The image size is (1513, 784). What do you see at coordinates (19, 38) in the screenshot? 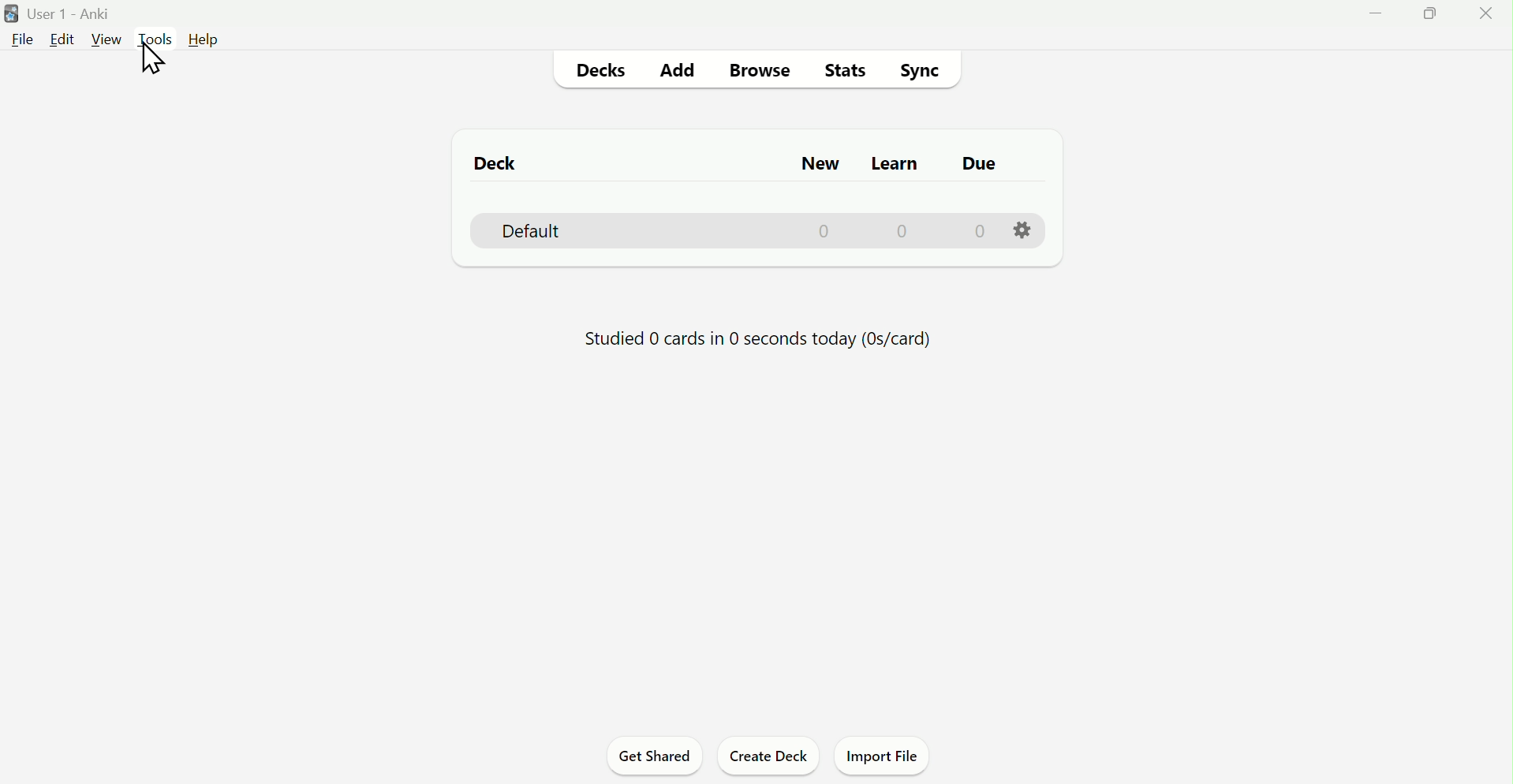
I see `File` at bounding box center [19, 38].